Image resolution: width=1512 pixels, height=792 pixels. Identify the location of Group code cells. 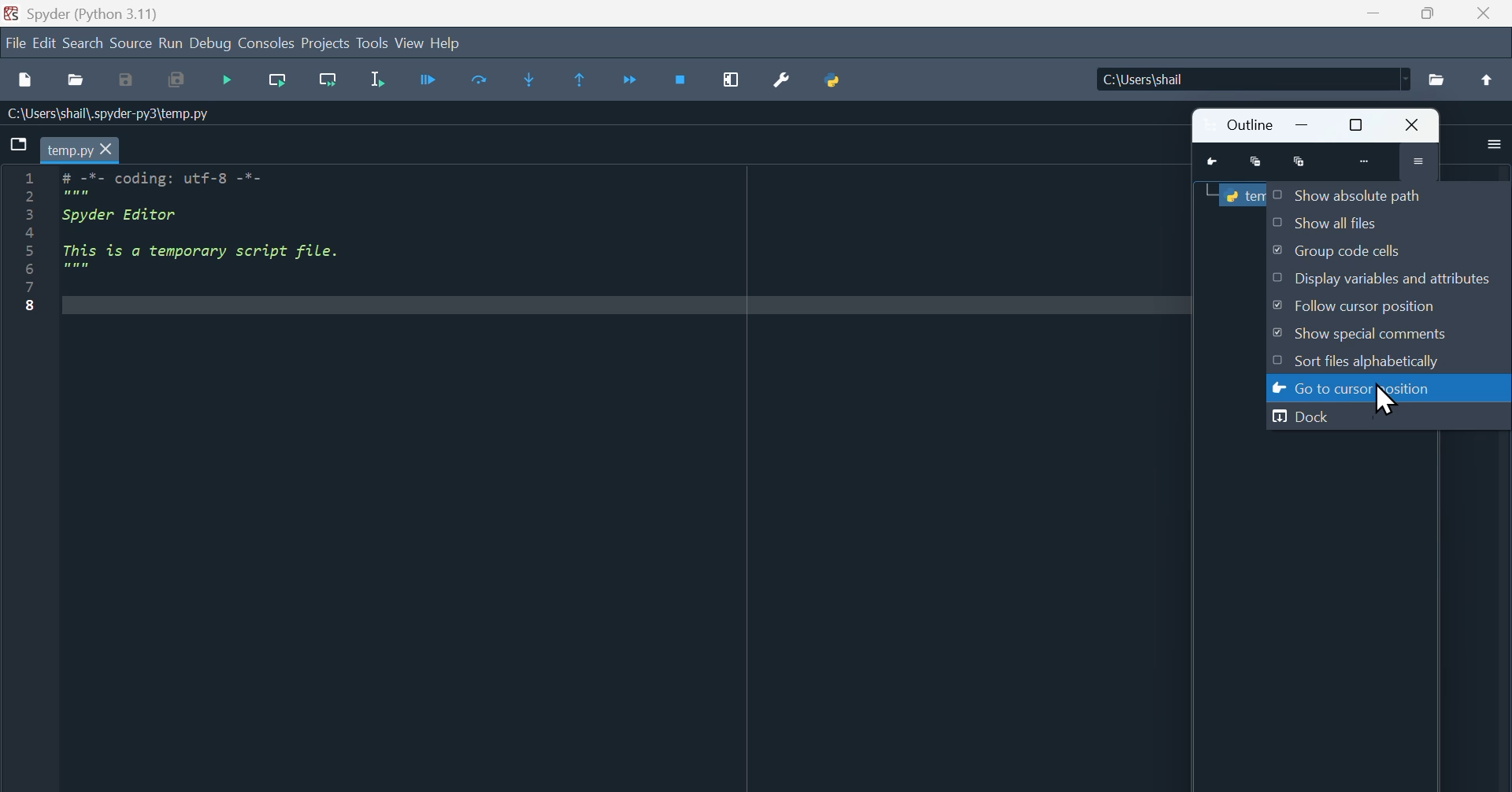
(1338, 250).